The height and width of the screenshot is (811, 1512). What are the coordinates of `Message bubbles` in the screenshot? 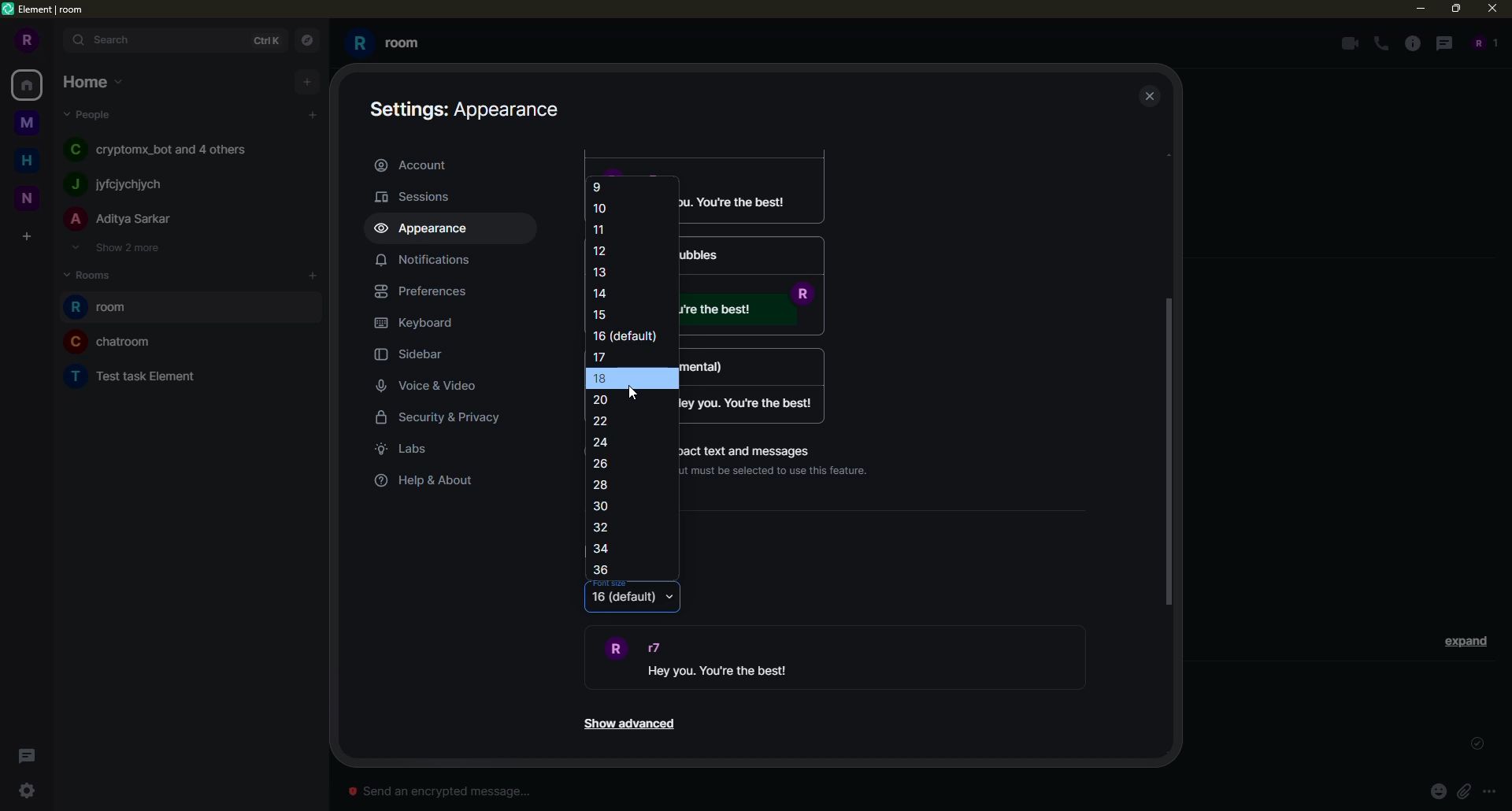 It's located at (750, 254).